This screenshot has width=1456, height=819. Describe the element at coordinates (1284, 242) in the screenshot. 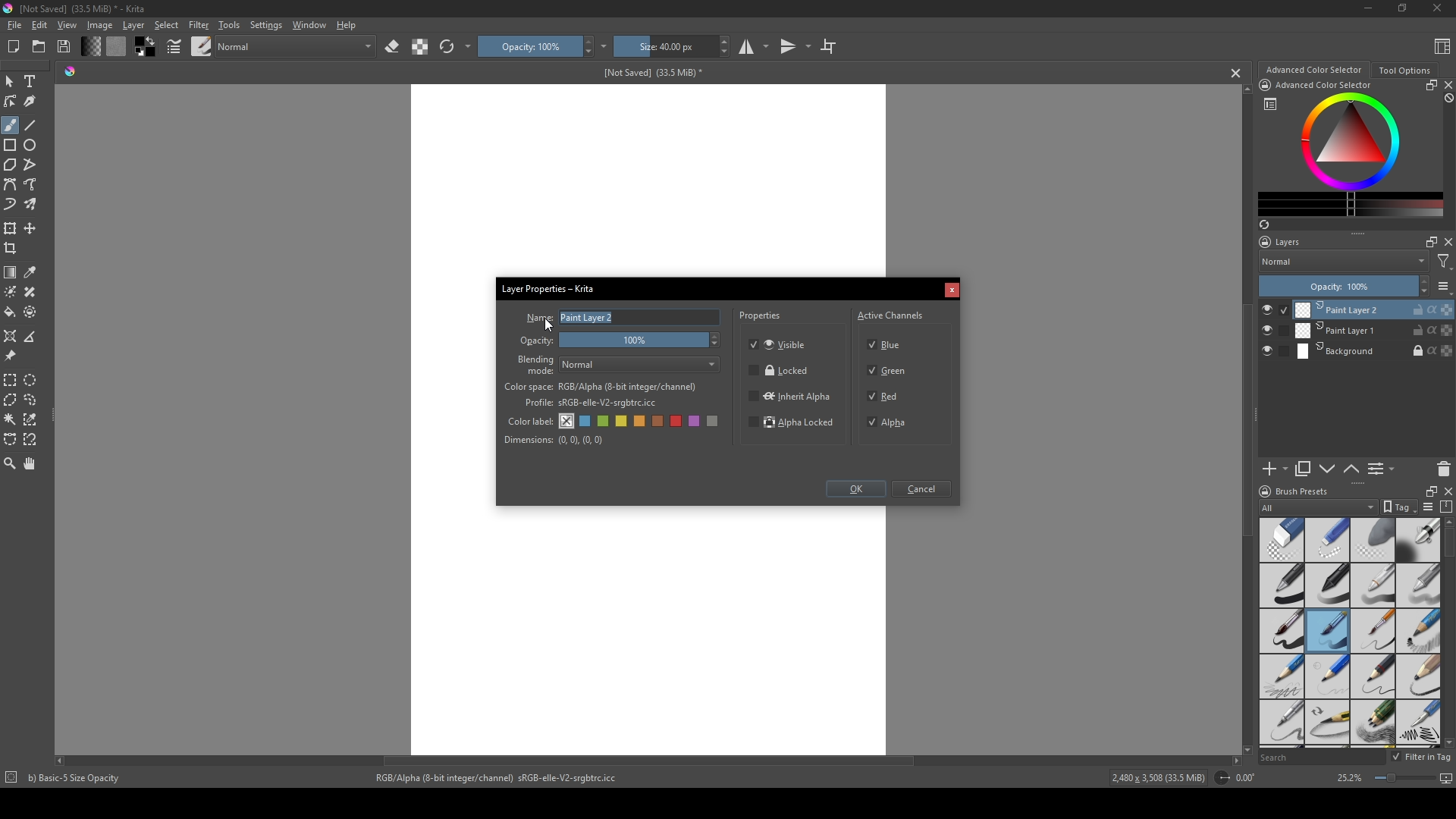

I see `Layers` at that location.